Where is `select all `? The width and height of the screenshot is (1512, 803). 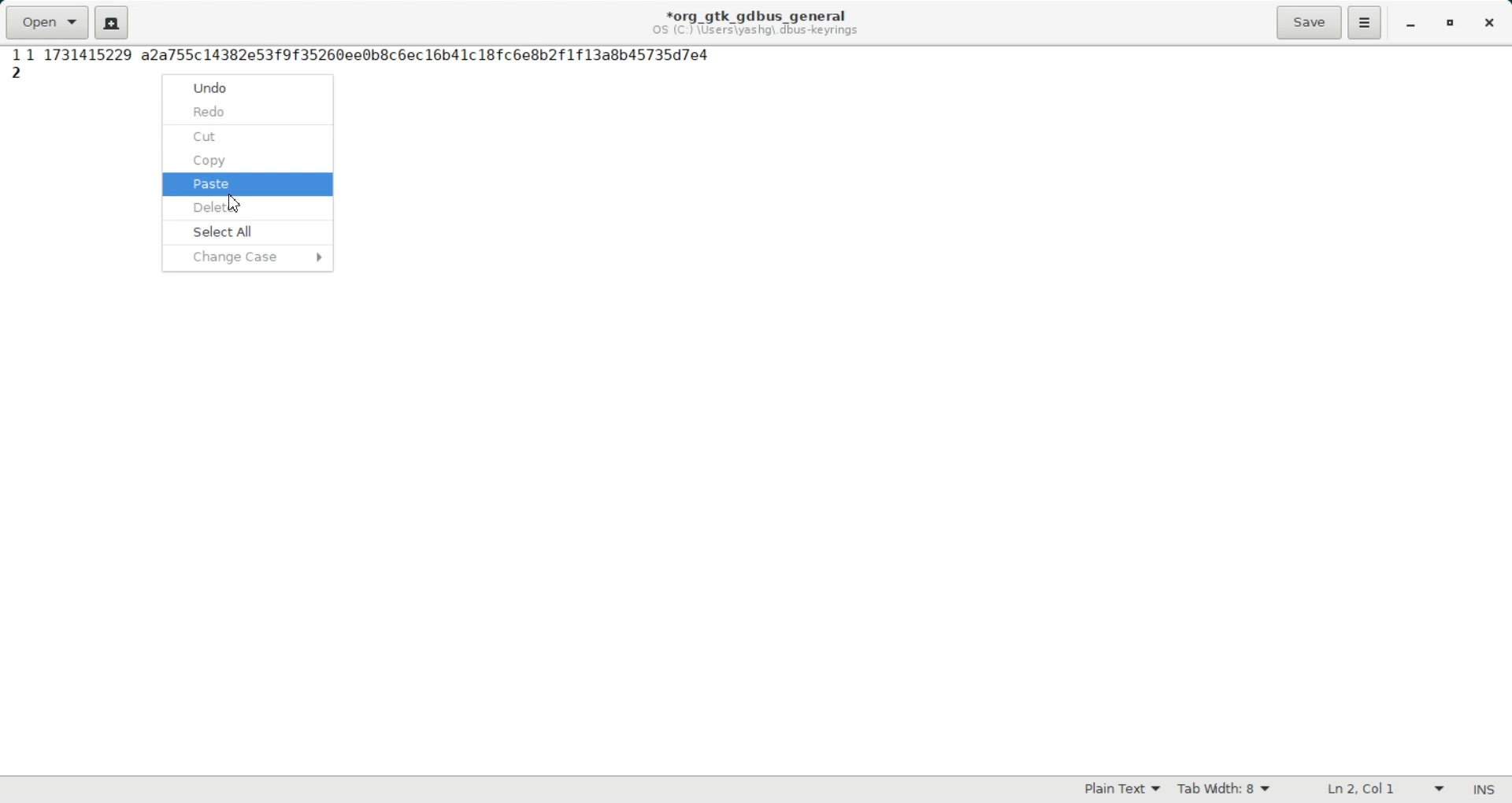 select all  is located at coordinates (246, 231).